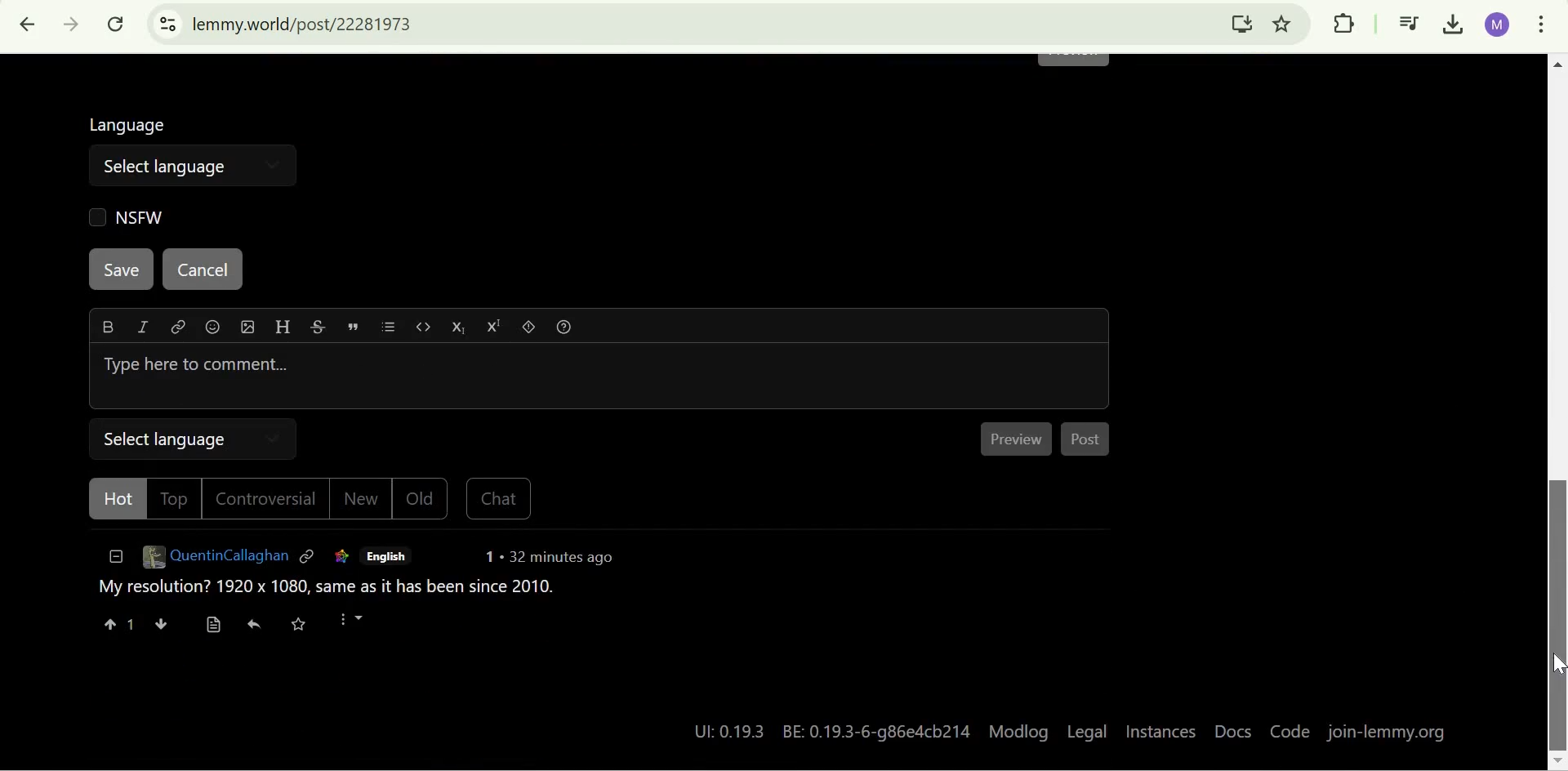  Describe the element at coordinates (363, 502) in the screenshot. I see `New` at that location.